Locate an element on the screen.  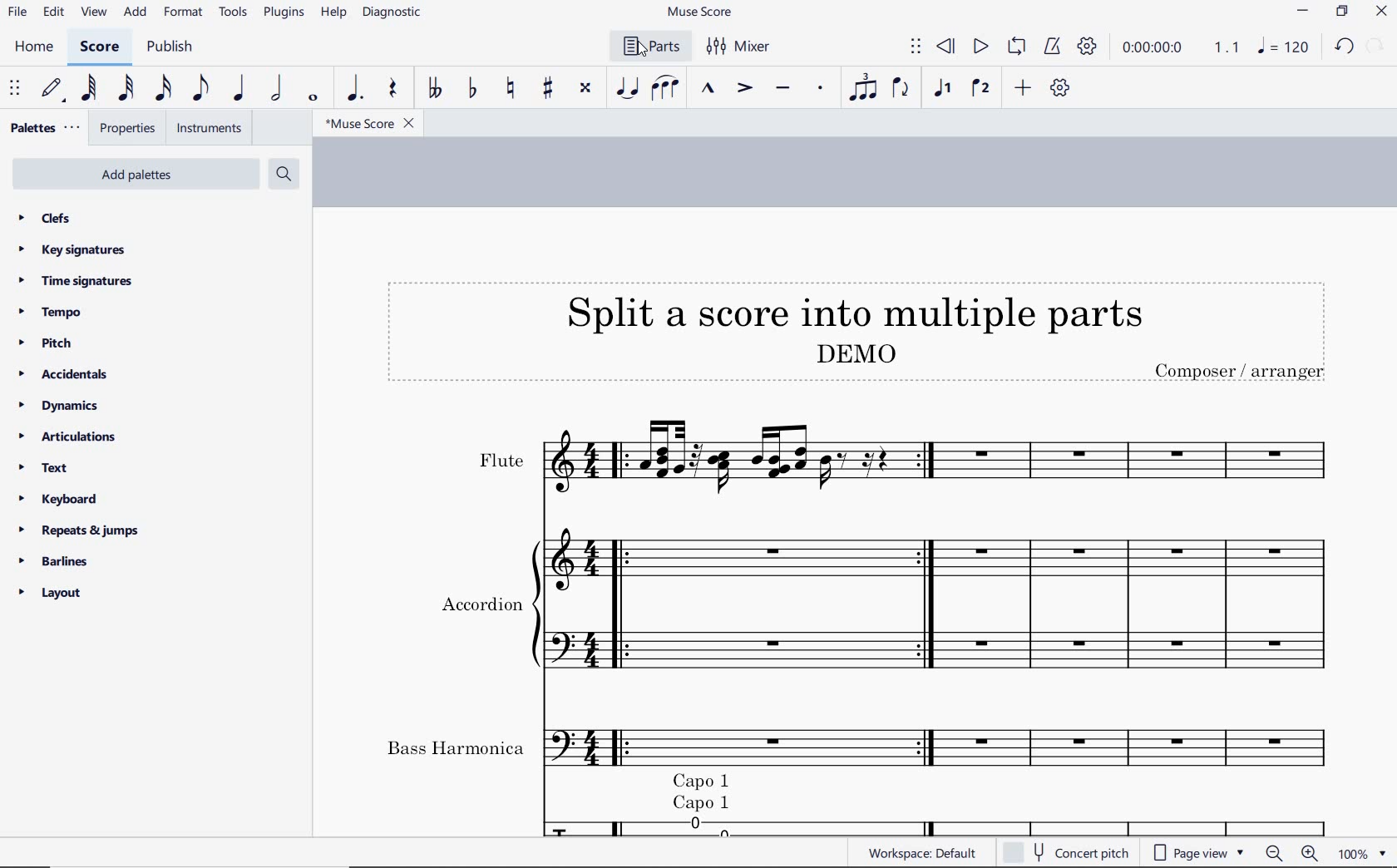
32nd note is located at coordinates (123, 88).